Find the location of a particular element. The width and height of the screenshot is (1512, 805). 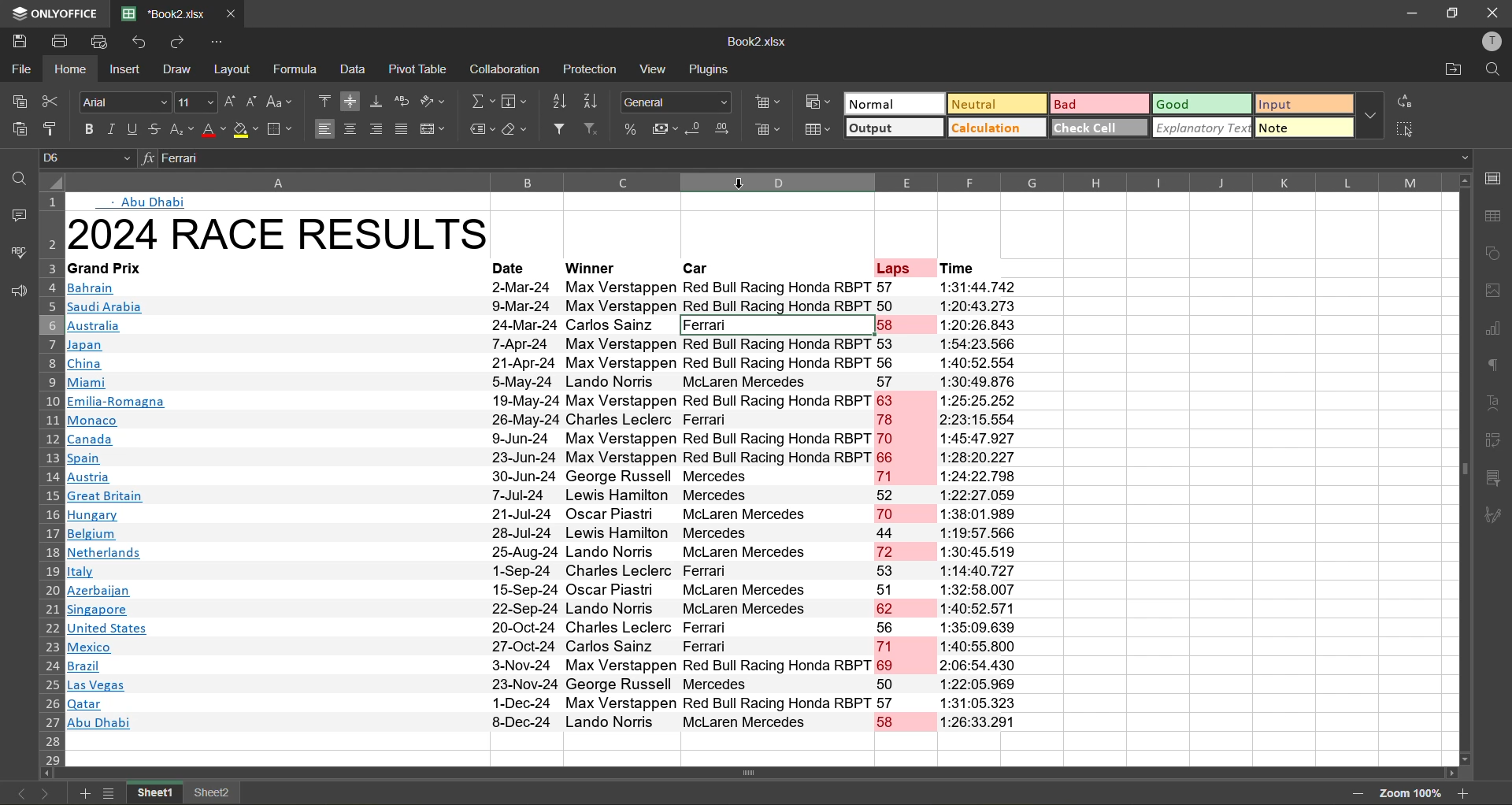

wrap text is located at coordinates (402, 102).